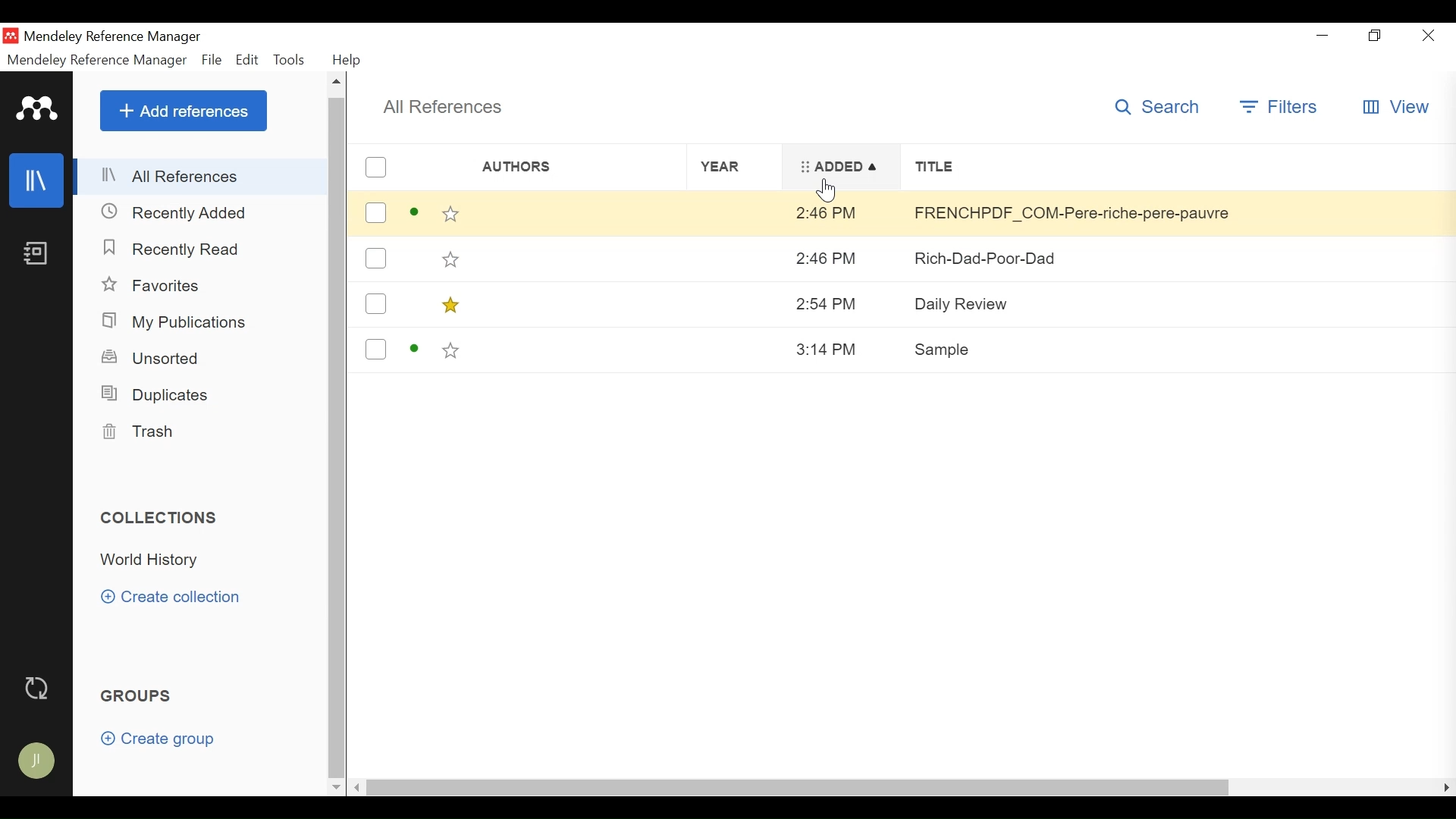 The width and height of the screenshot is (1456, 819). I want to click on Unsorted, so click(157, 358).